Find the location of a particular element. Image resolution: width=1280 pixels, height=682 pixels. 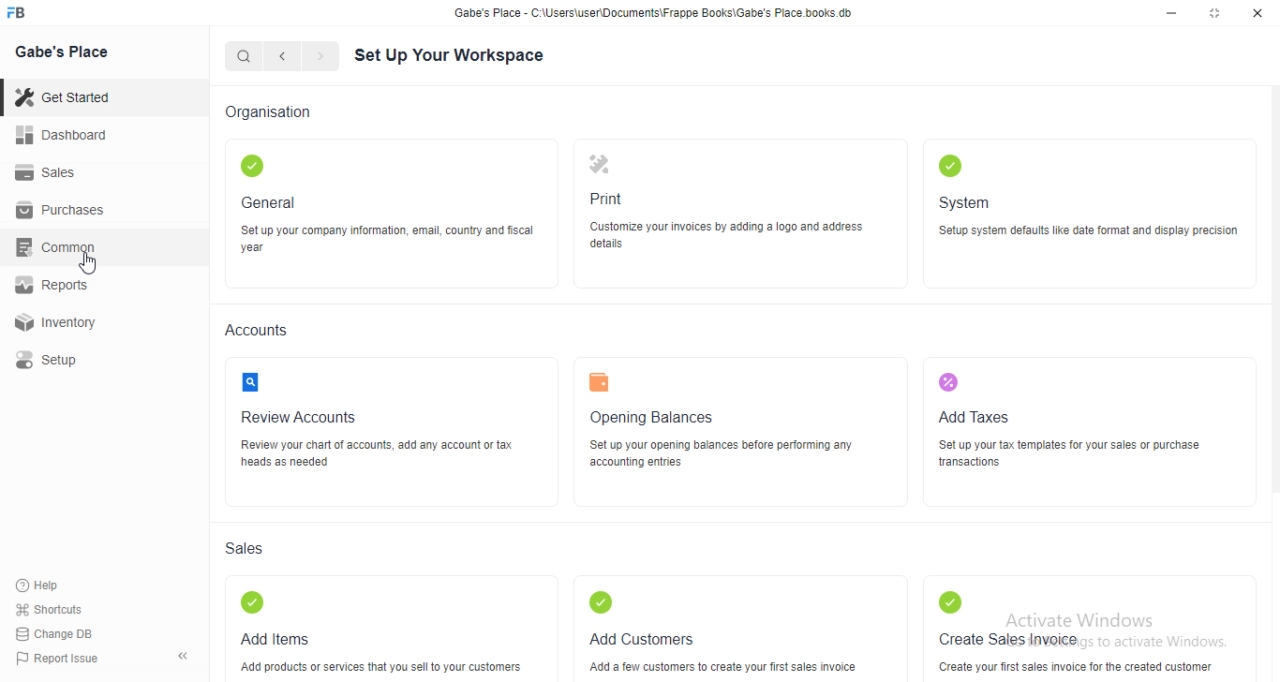

Inventory is located at coordinates (55, 322).